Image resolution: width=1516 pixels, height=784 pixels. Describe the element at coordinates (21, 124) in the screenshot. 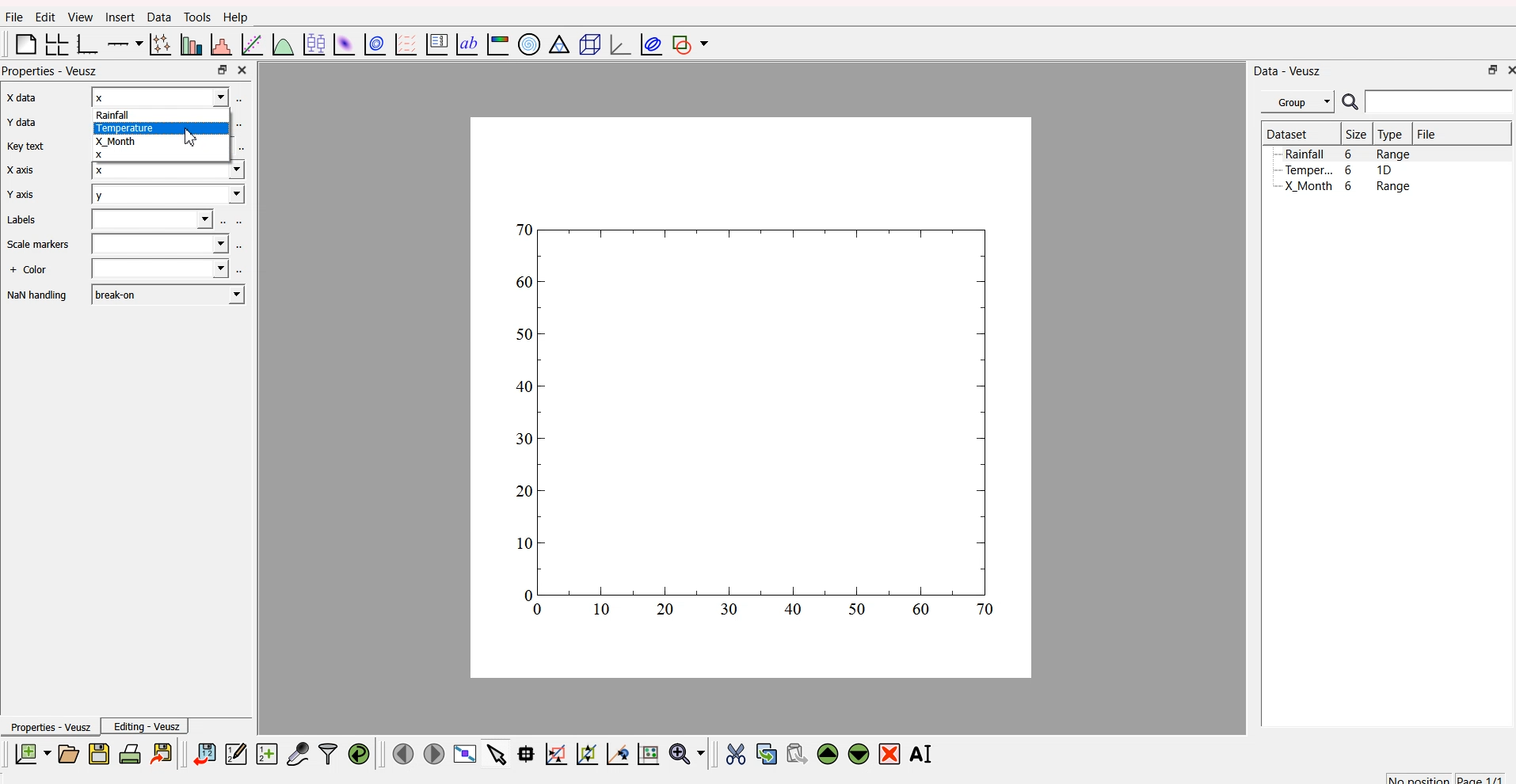

I see `Y data` at that location.